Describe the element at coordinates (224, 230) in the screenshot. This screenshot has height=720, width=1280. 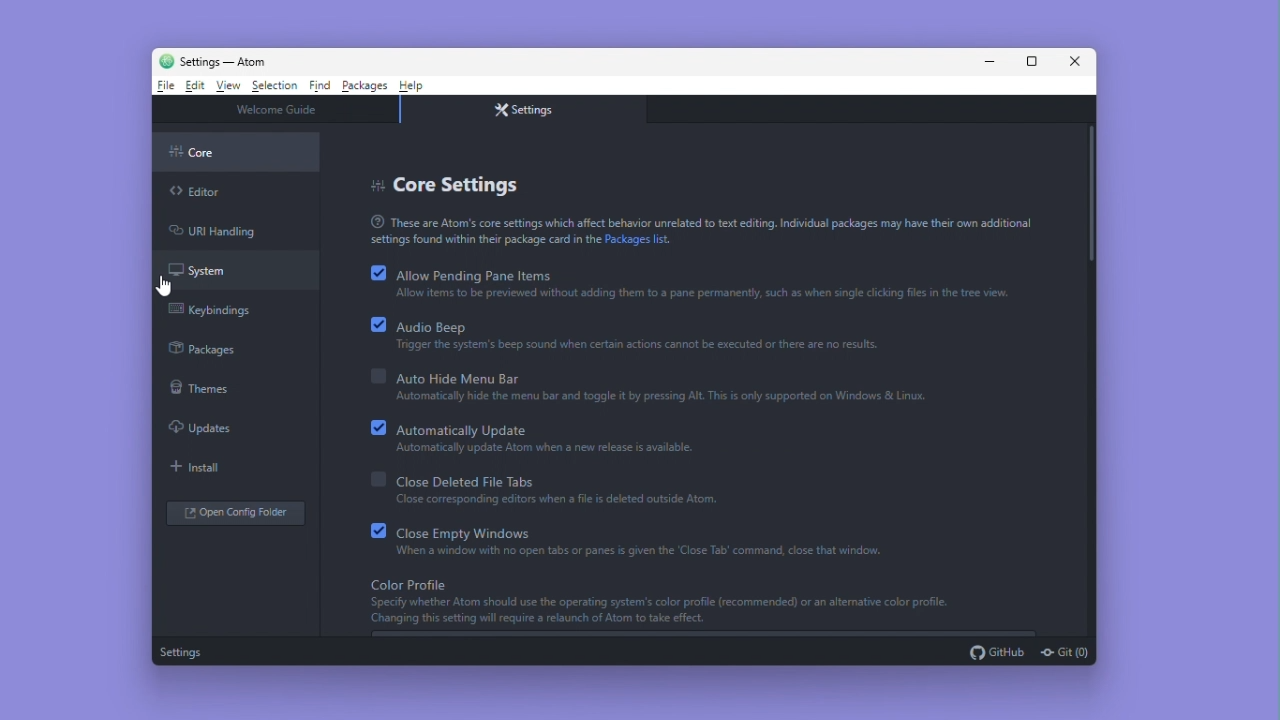
I see `Url Handling` at that location.